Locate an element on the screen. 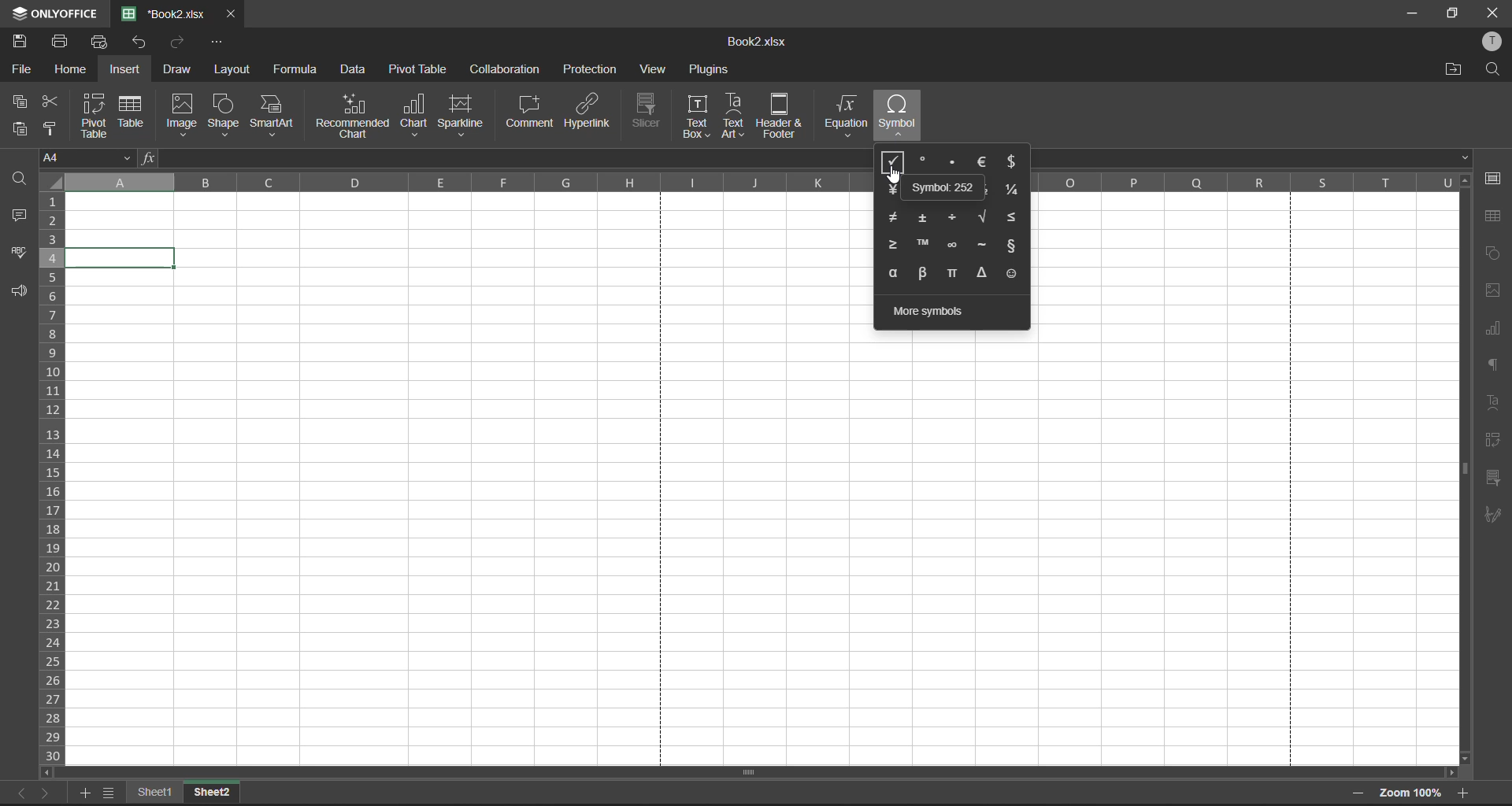 The width and height of the screenshot is (1512, 806). pivot table is located at coordinates (94, 114).